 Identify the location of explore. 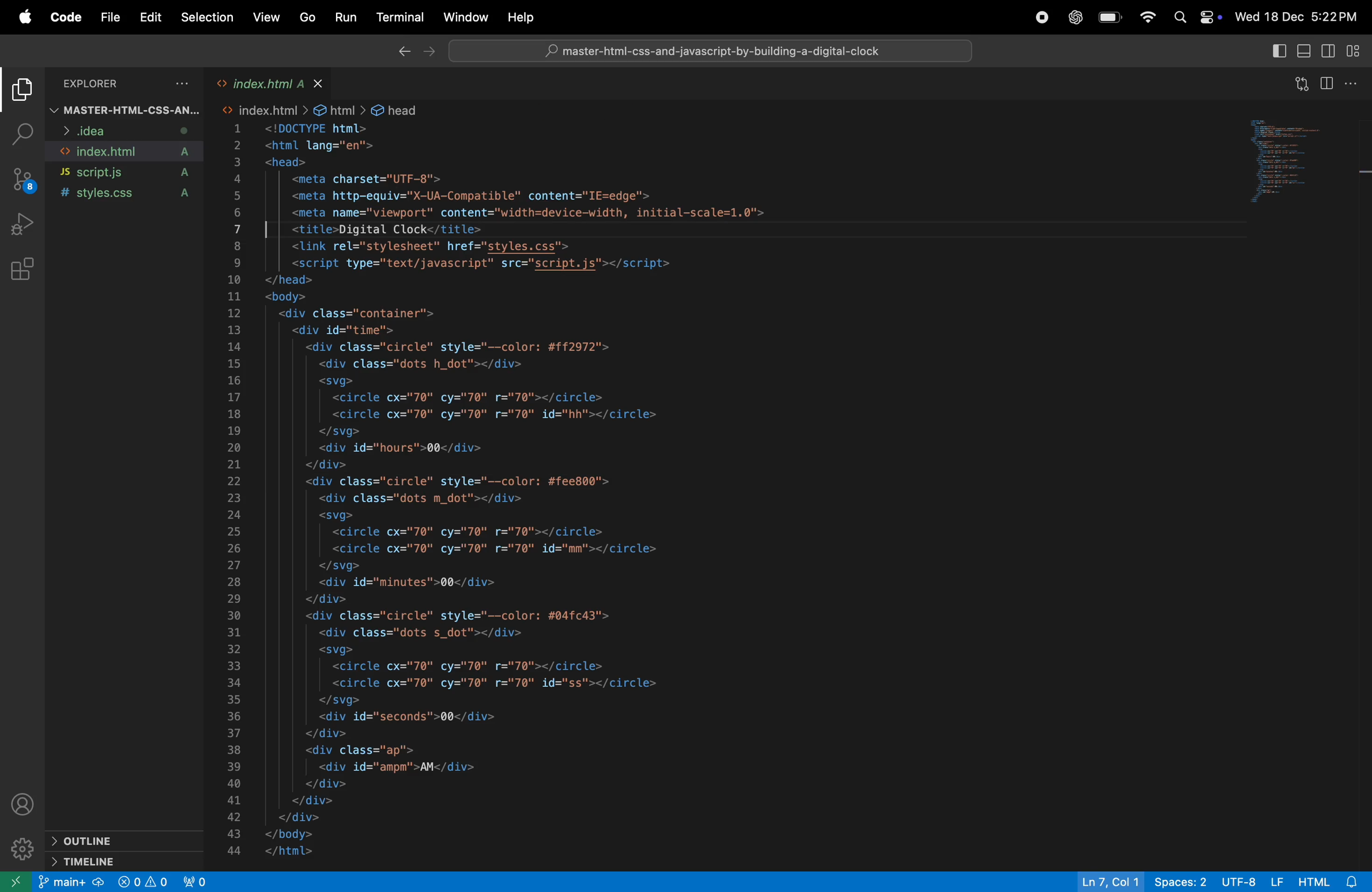
(24, 93).